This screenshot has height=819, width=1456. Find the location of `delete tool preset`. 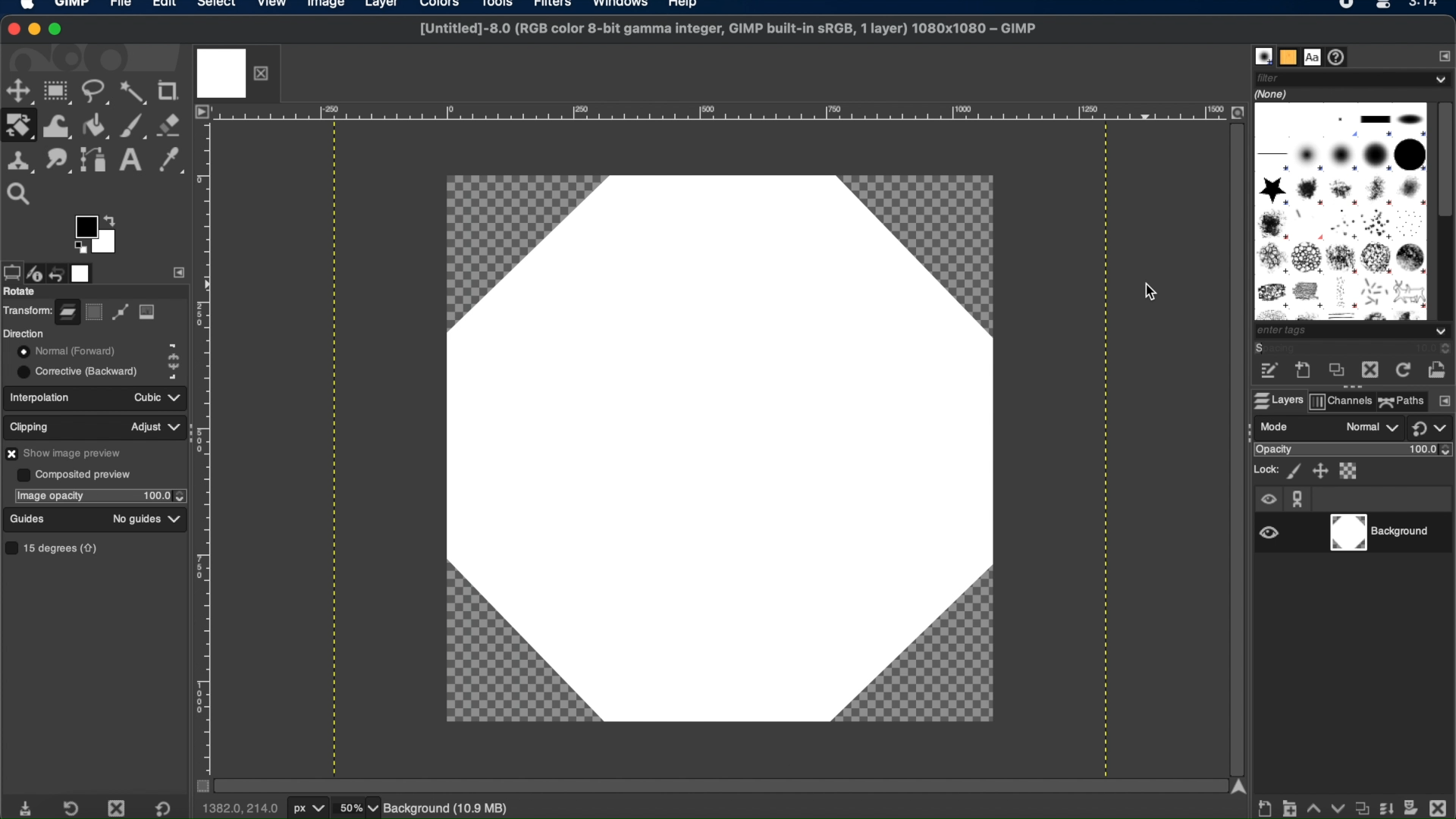

delete tool preset is located at coordinates (118, 808).